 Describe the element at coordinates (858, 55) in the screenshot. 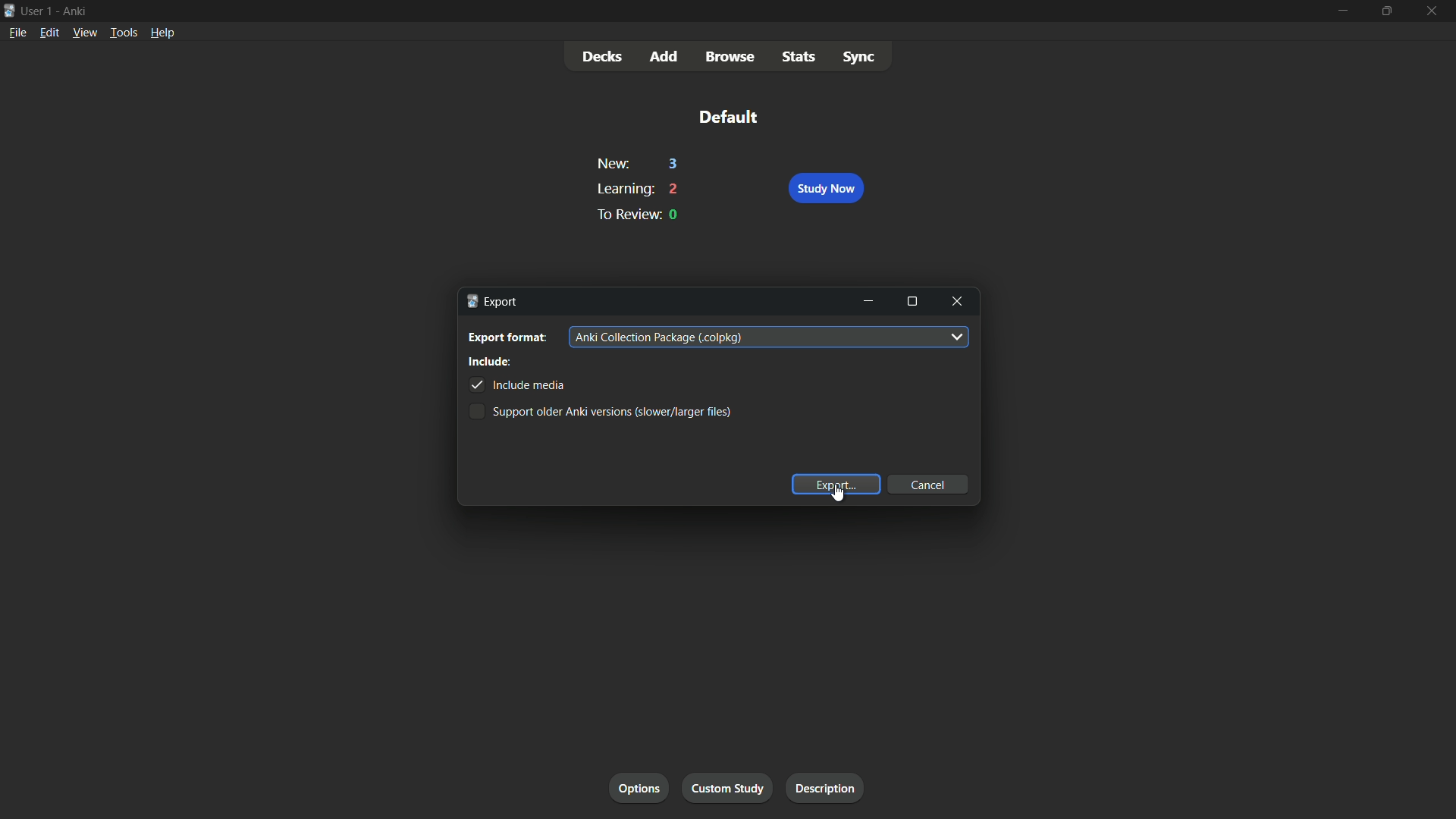

I see `sync` at that location.